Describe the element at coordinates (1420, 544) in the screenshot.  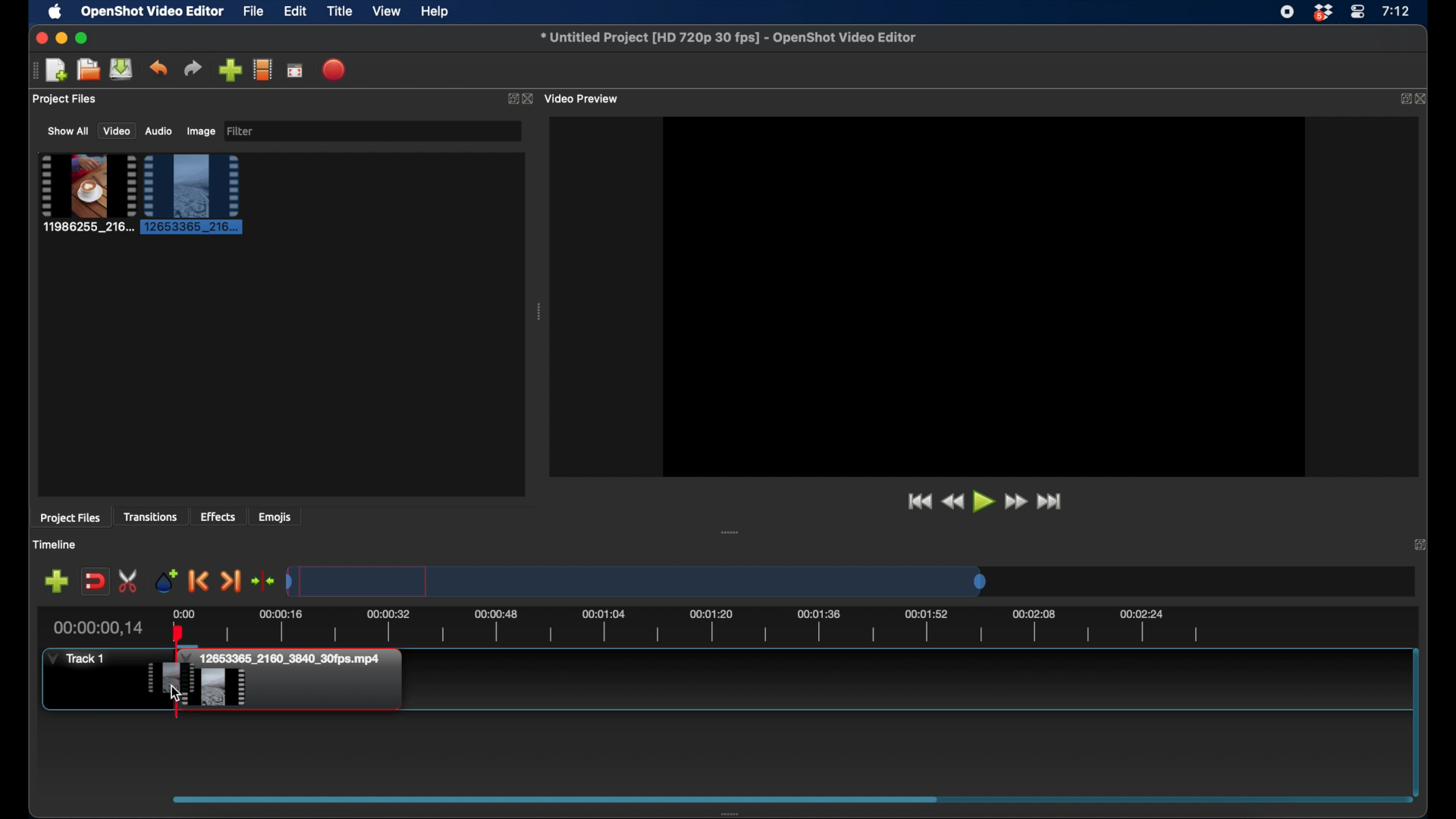
I see `expand` at that location.